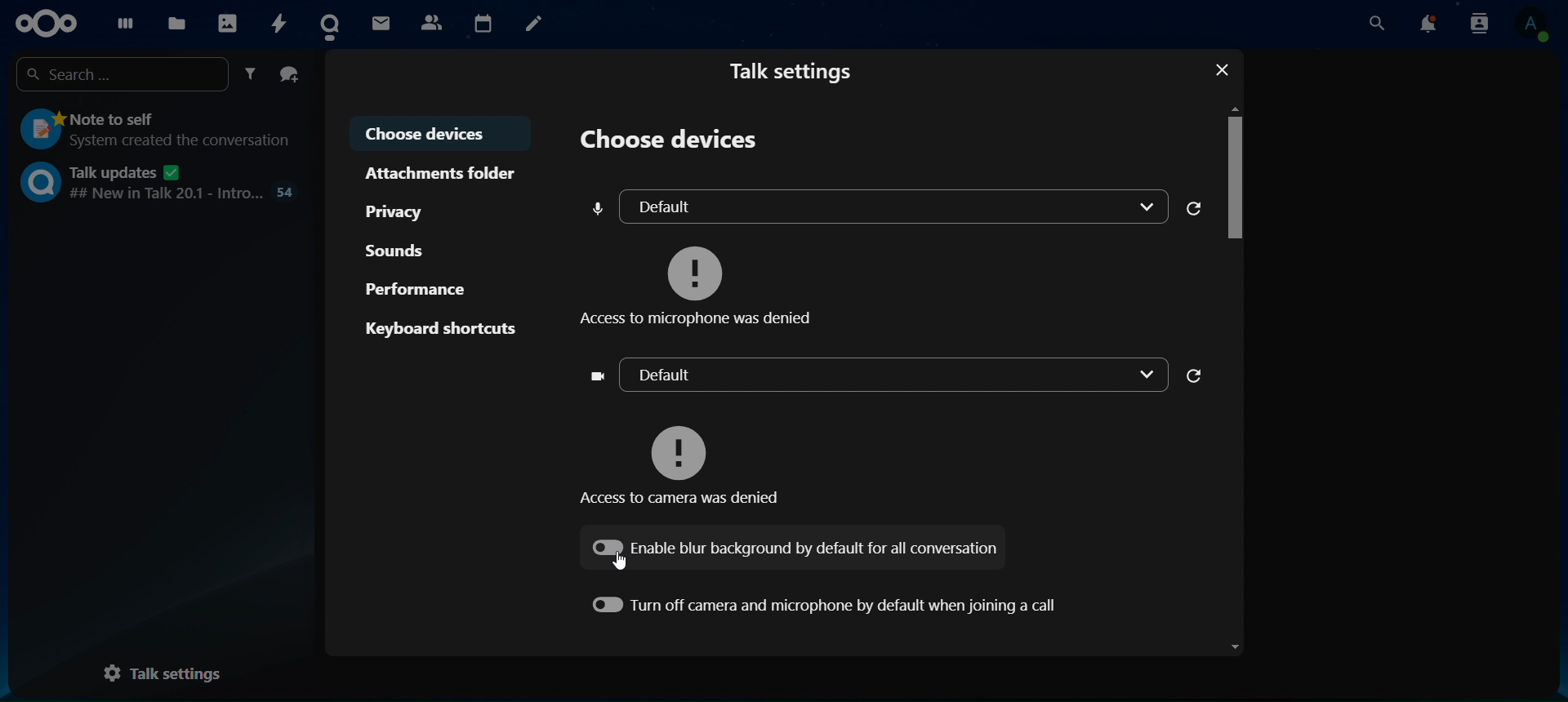 This screenshot has width=1568, height=702. Describe the element at coordinates (289, 72) in the screenshot. I see `create a group` at that location.